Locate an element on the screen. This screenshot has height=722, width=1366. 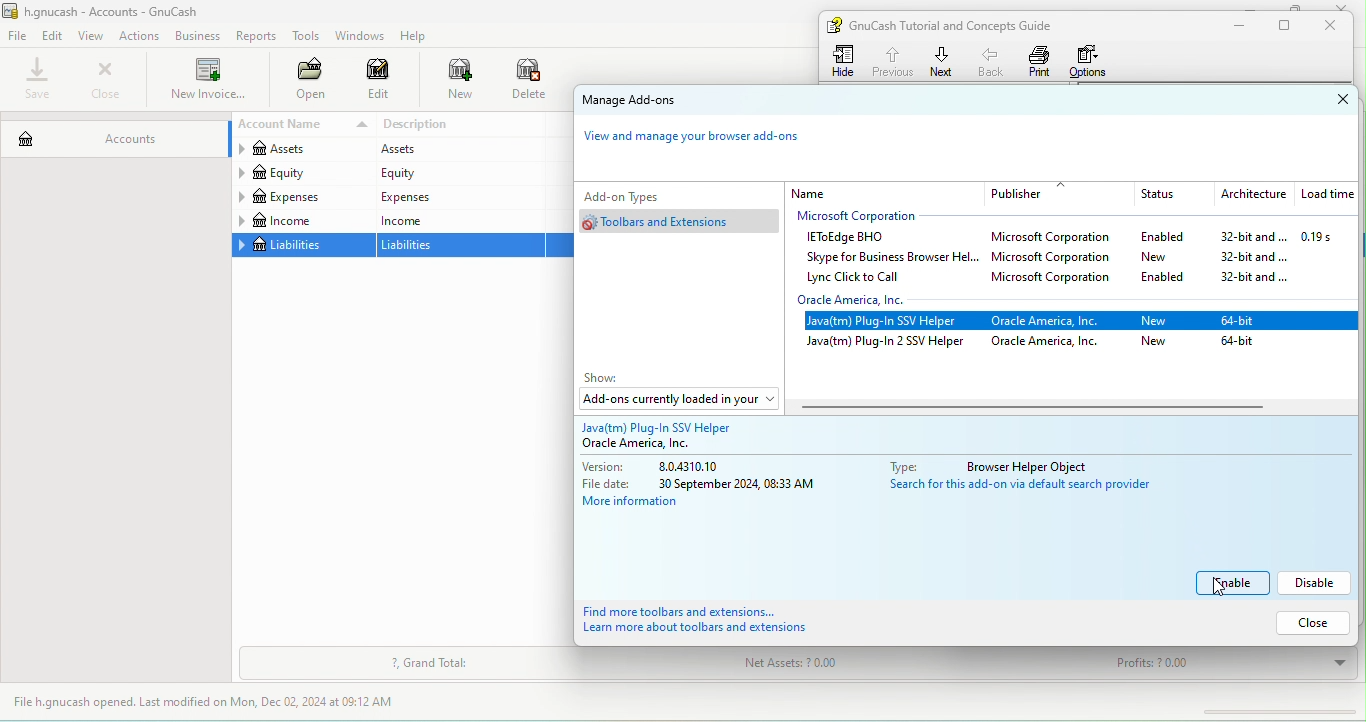
save is located at coordinates (39, 80).